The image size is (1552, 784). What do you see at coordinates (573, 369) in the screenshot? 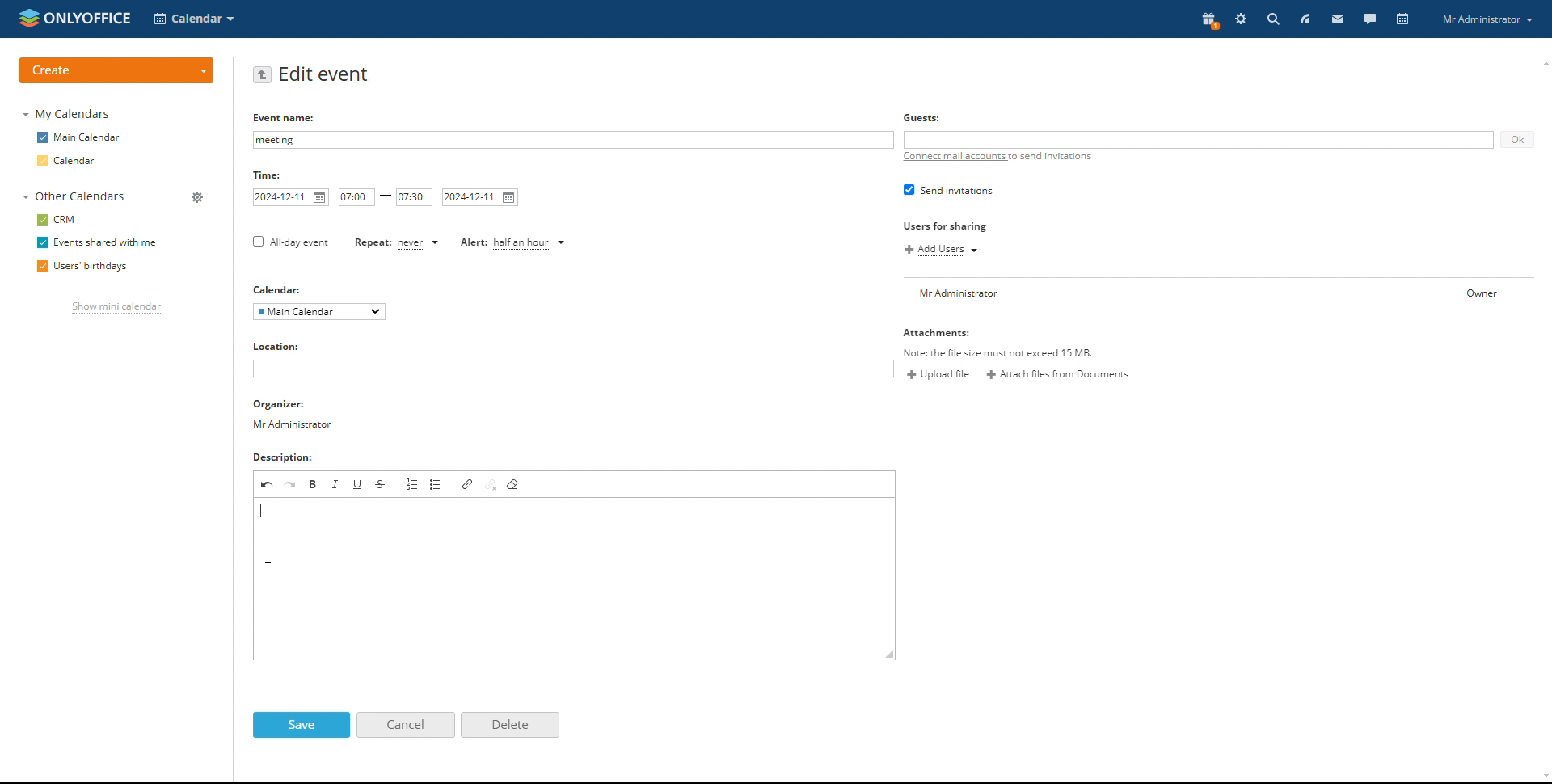
I see `add location` at bounding box center [573, 369].